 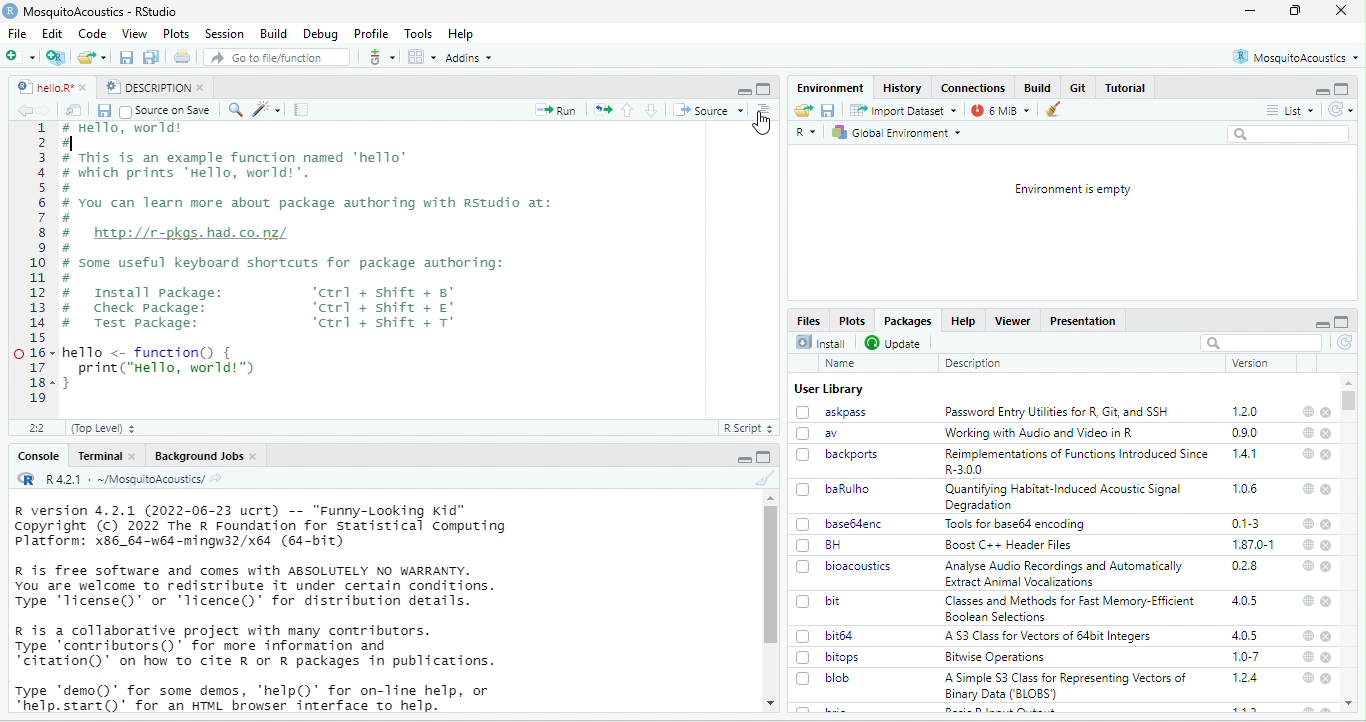 I want to click on Files, so click(x=808, y=319).